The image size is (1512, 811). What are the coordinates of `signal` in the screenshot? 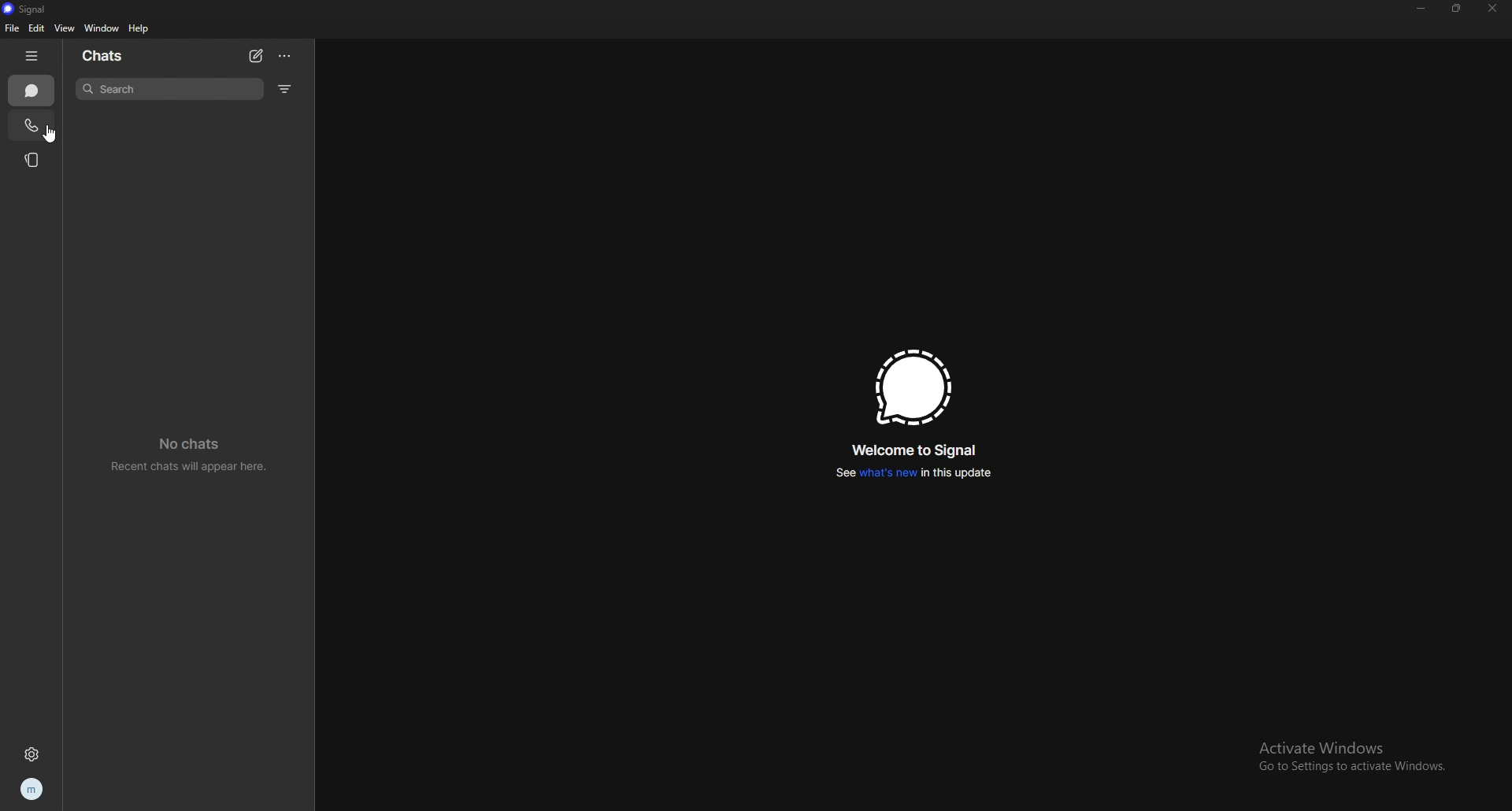 It's located at (31, 9).